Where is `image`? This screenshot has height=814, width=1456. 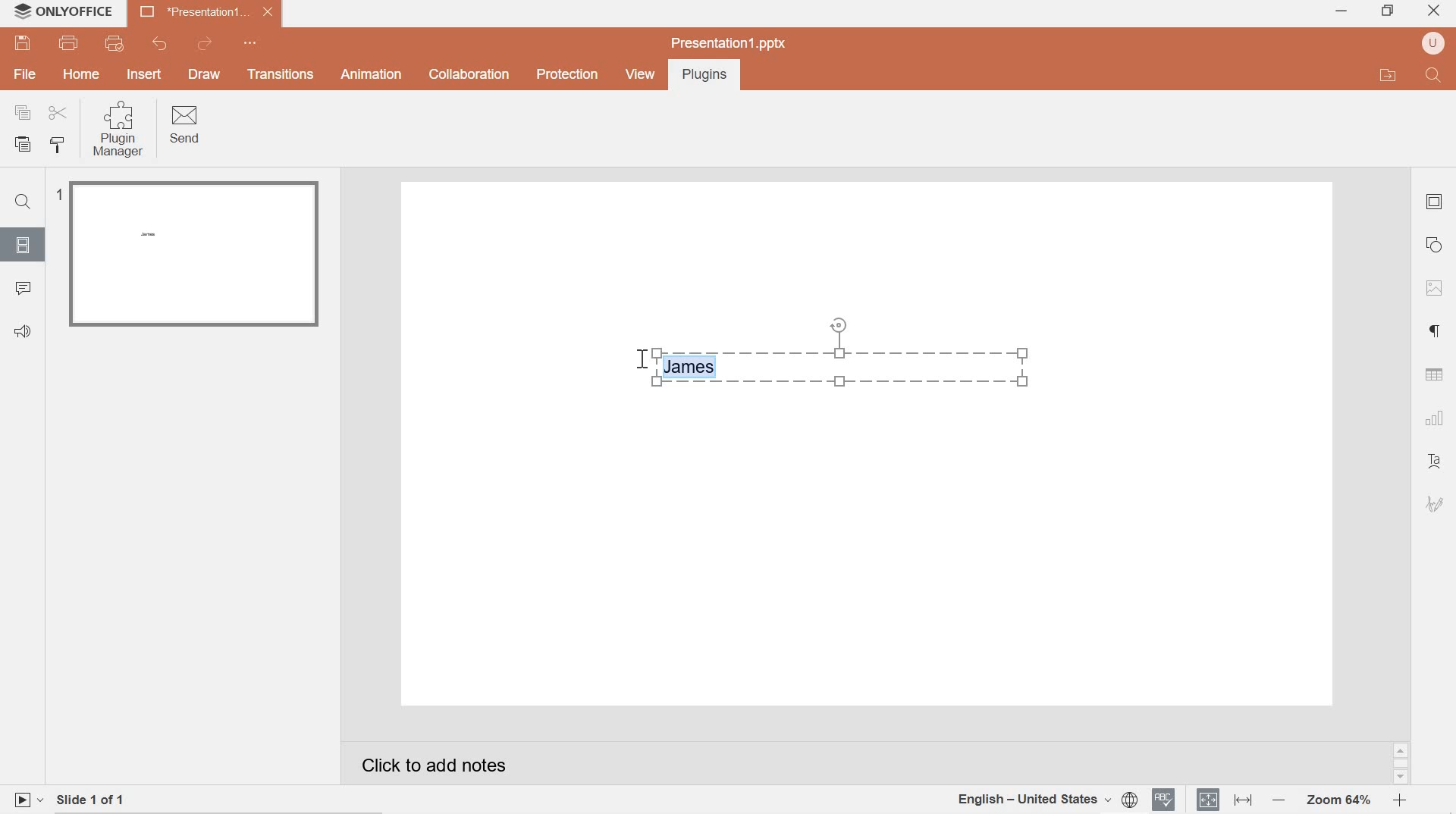 image is located at coordinates (1436, 290).